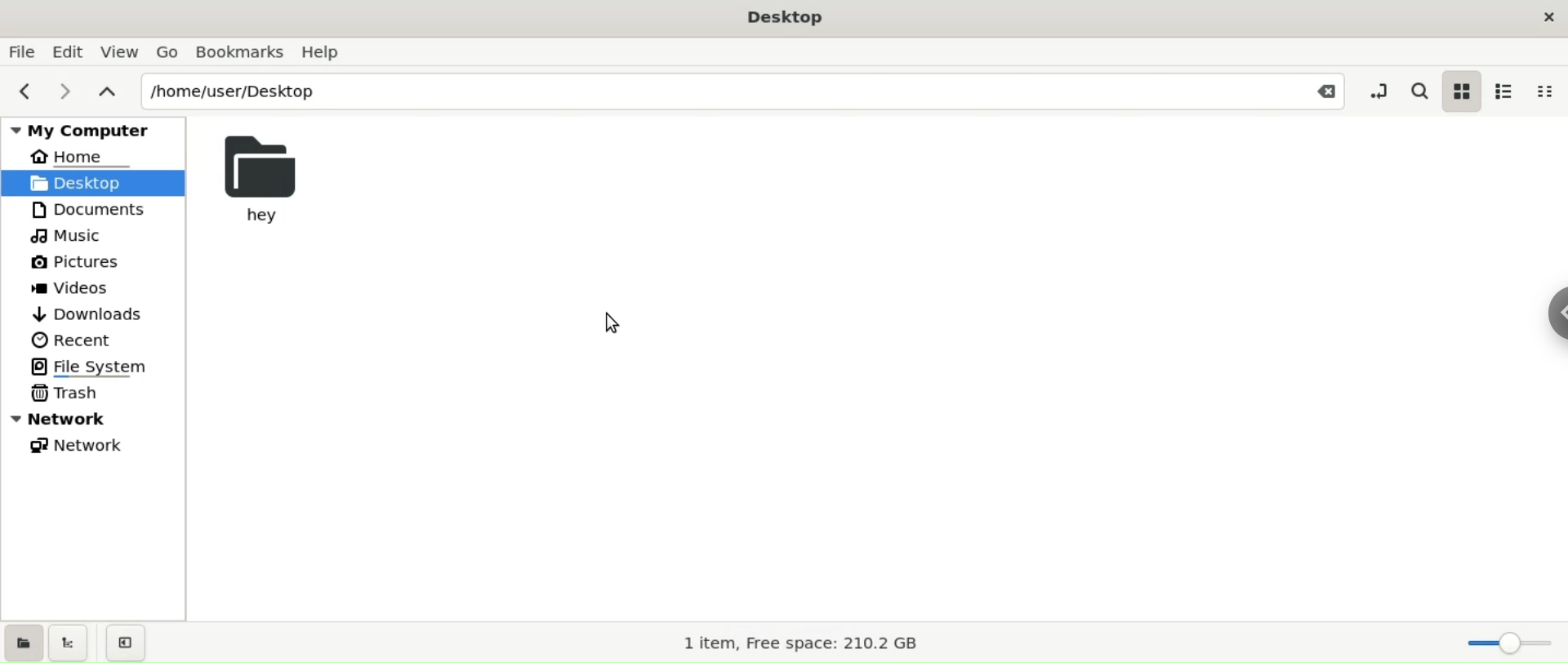  What do you see at coordinates (86, 157) in the screenshot?
I see `HOME ` at bounding box center [86, 157].